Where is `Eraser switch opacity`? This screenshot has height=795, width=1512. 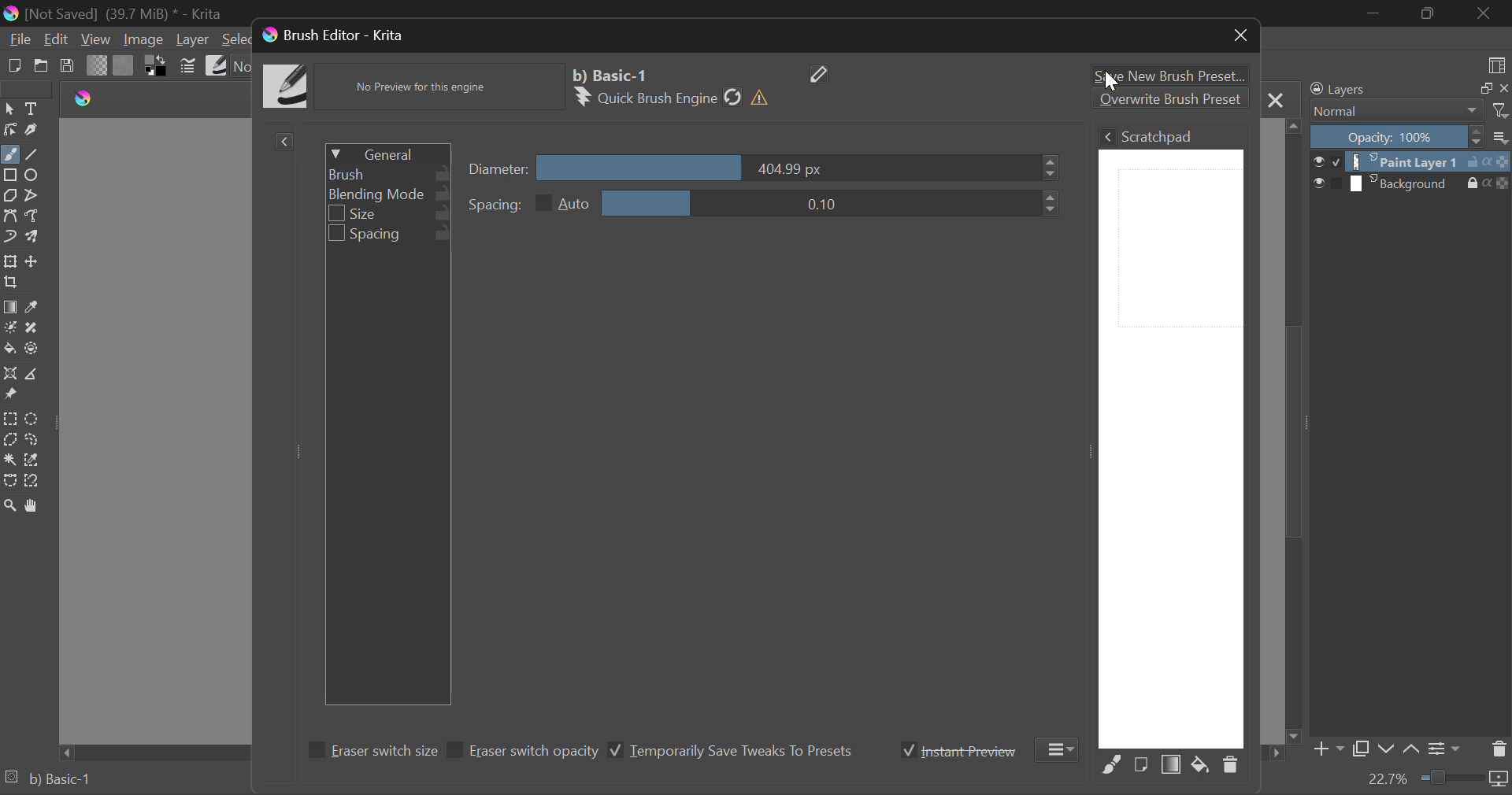
Eraser switch opacity is located at coordinates (524, 752).